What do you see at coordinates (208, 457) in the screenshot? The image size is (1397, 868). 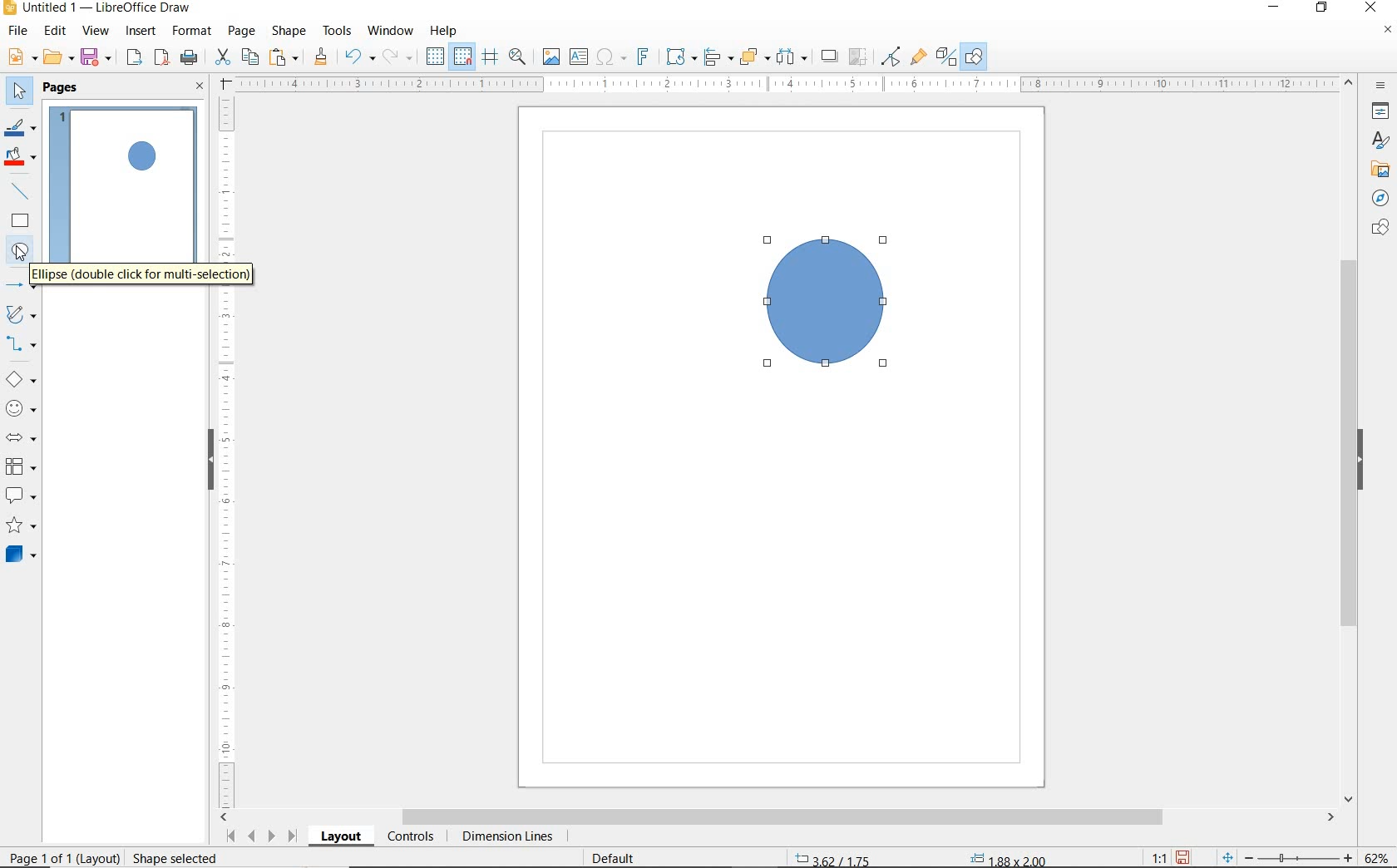 I see `HIDE` at bounding box center [208, 457].